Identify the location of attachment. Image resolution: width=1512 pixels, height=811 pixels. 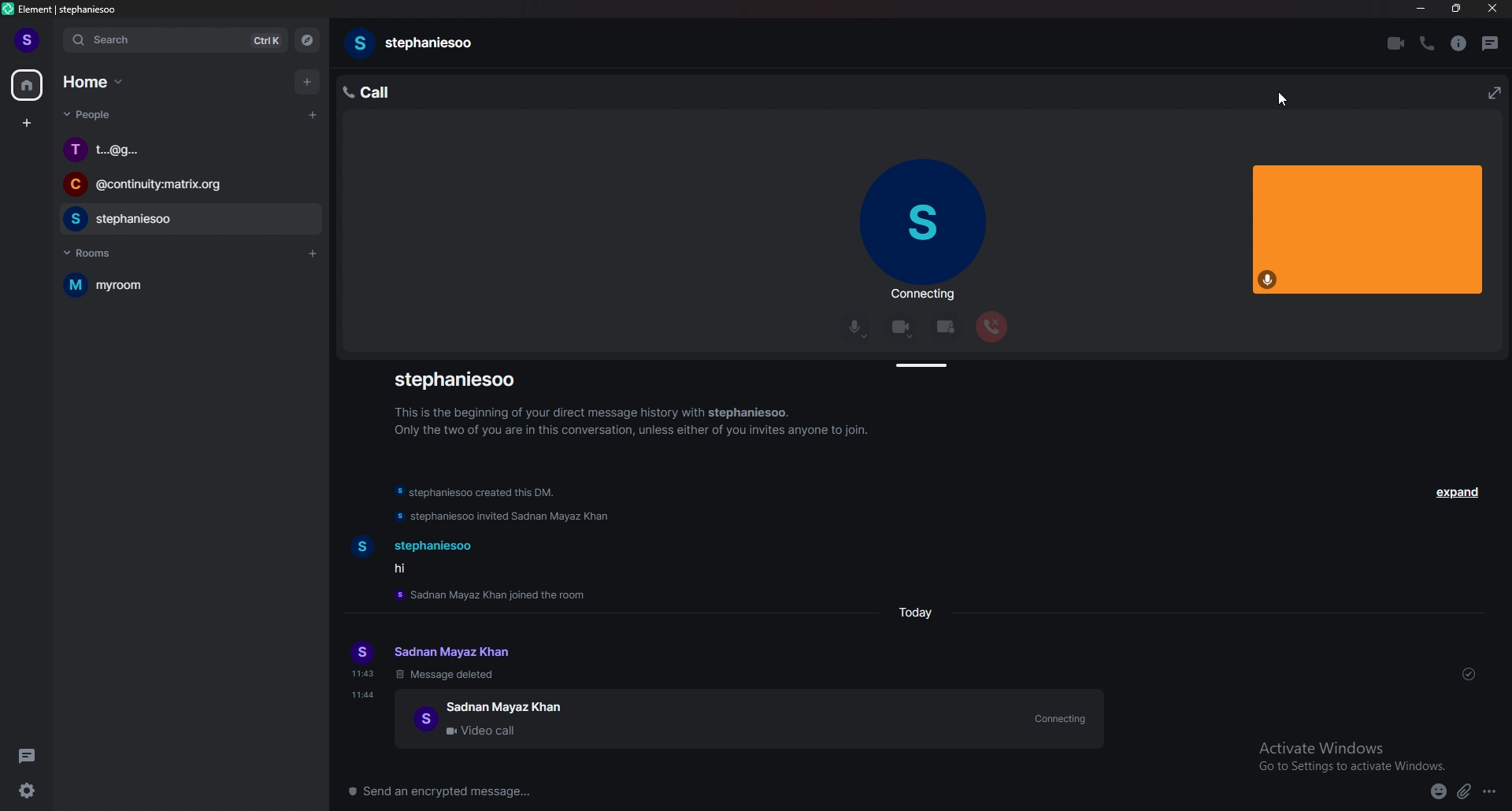
(1465, 792).